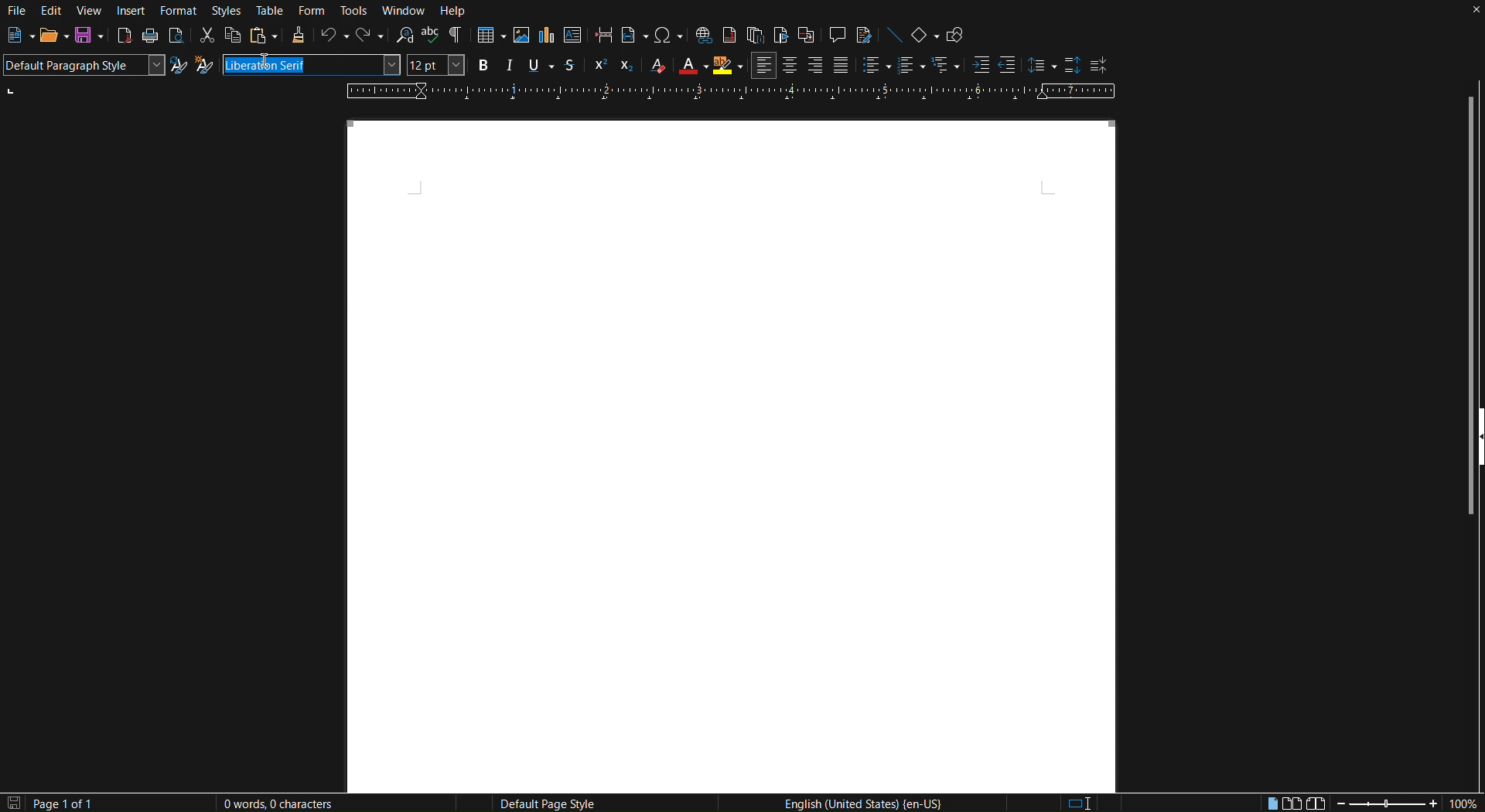  Describe the element at coordinates (48, 38) in the screenshot. I see `Open` at that location.